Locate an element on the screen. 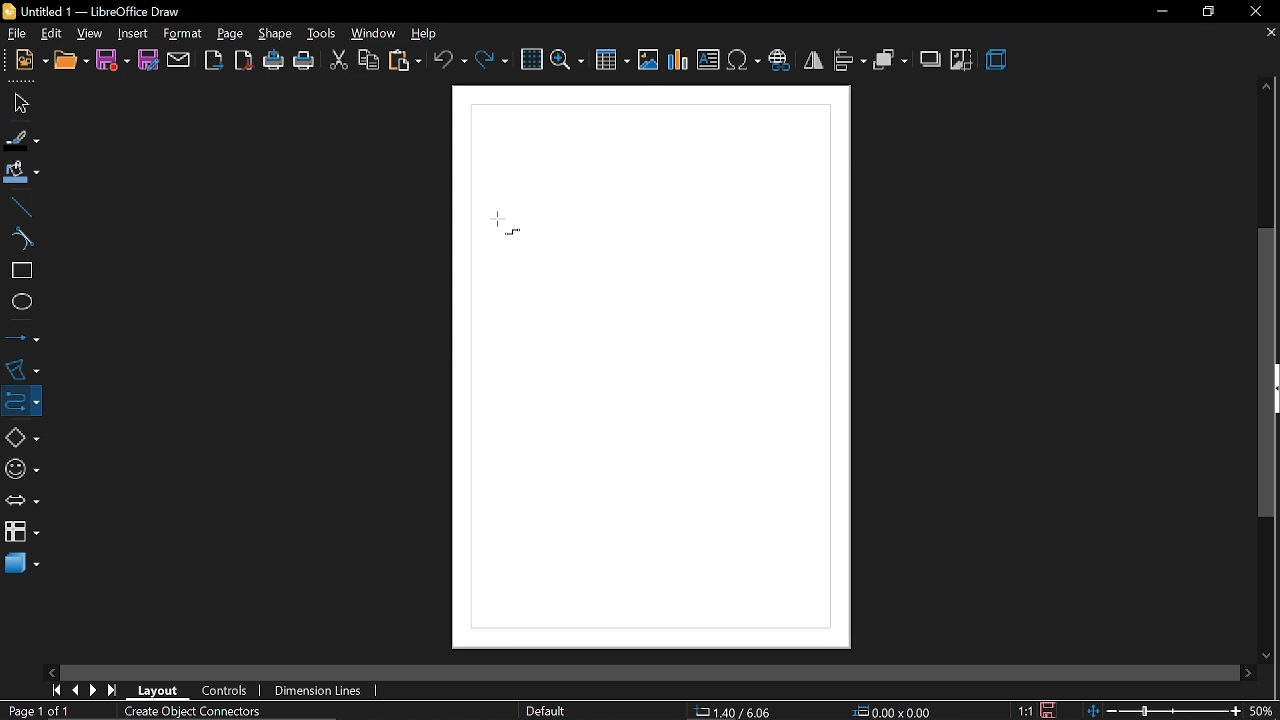 The image size is (1280, 720). save is located at coordinates (113, 61).